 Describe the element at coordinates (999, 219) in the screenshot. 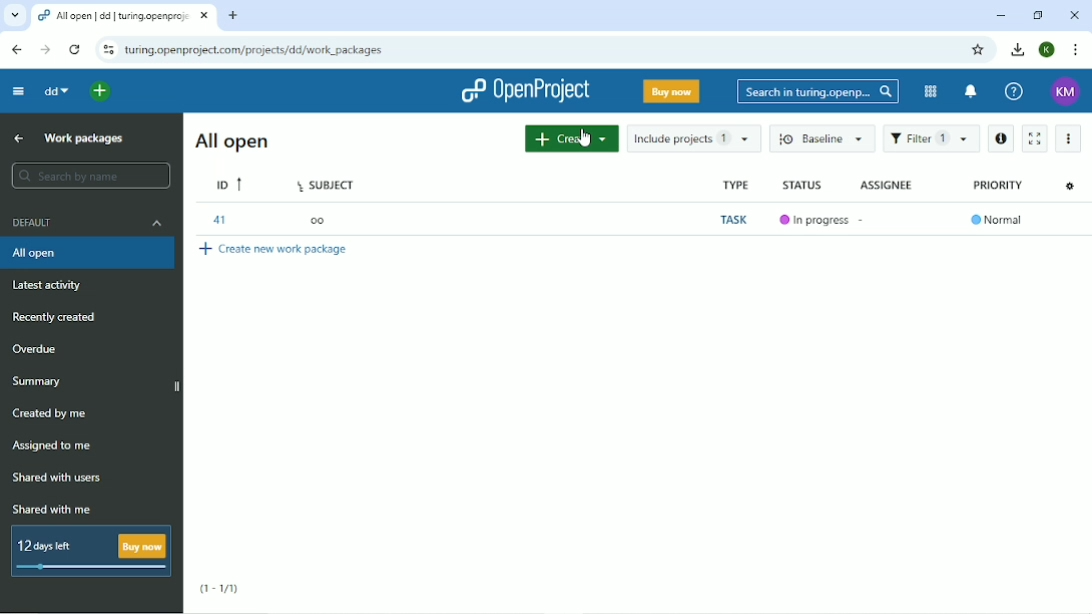

I see `Normal` at that location.